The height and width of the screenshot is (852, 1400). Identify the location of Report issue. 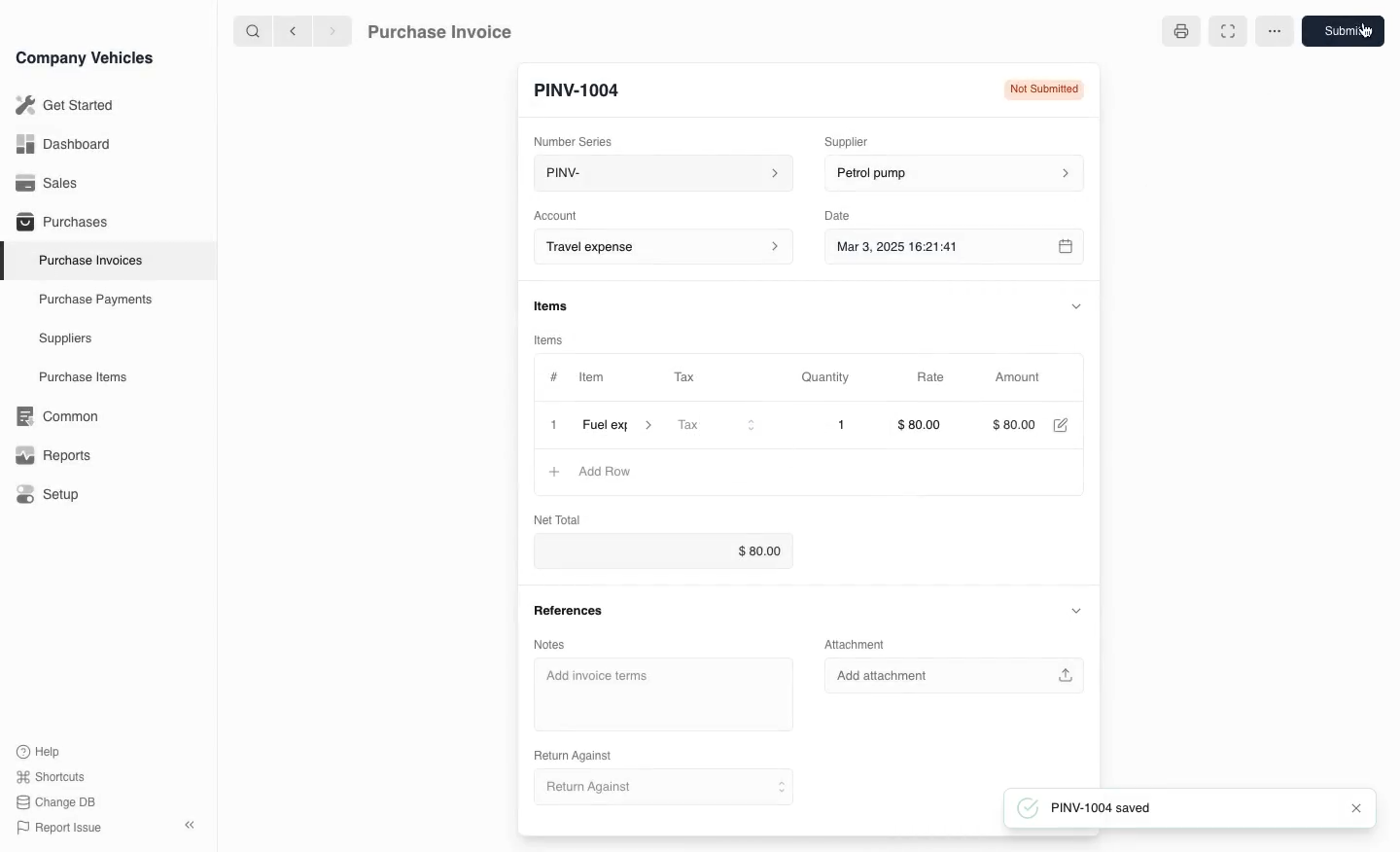
(62, 829).